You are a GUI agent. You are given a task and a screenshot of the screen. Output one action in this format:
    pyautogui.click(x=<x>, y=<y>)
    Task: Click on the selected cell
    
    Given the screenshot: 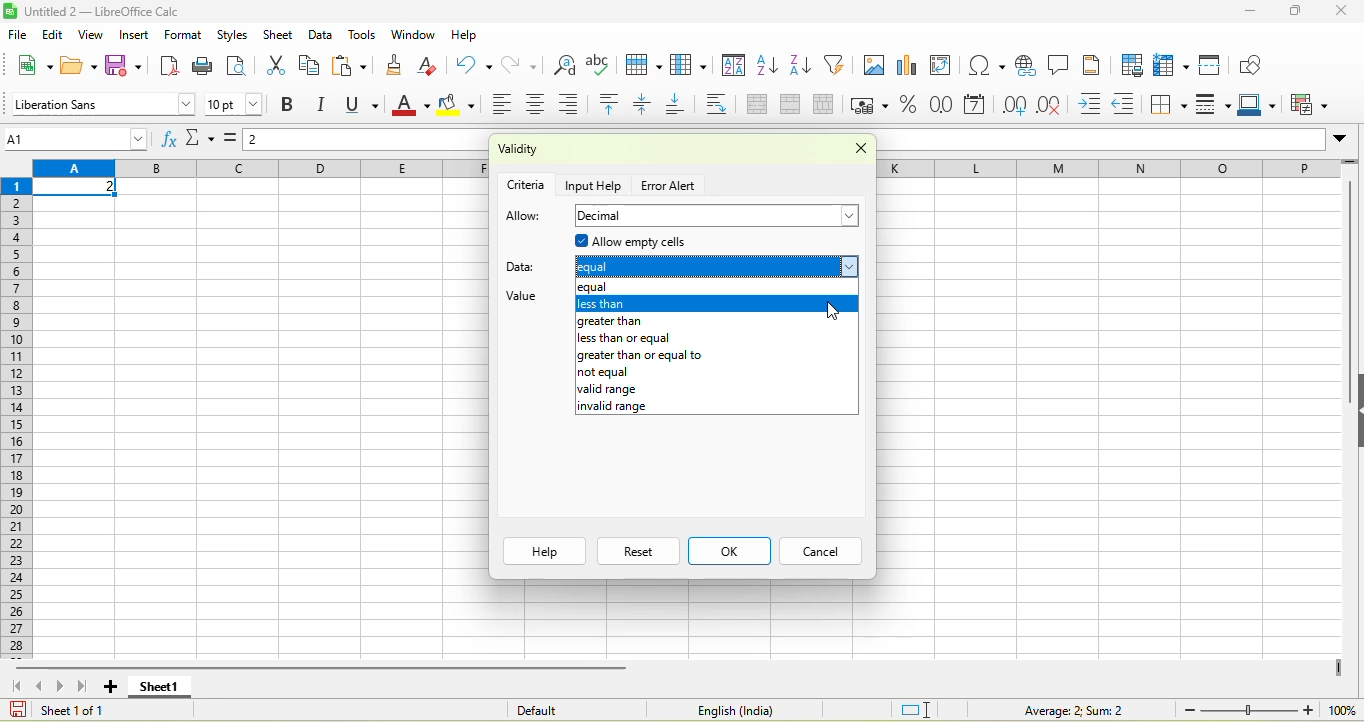 What is the action you would take?
    pyautogui.click(x=77, y=188)
    